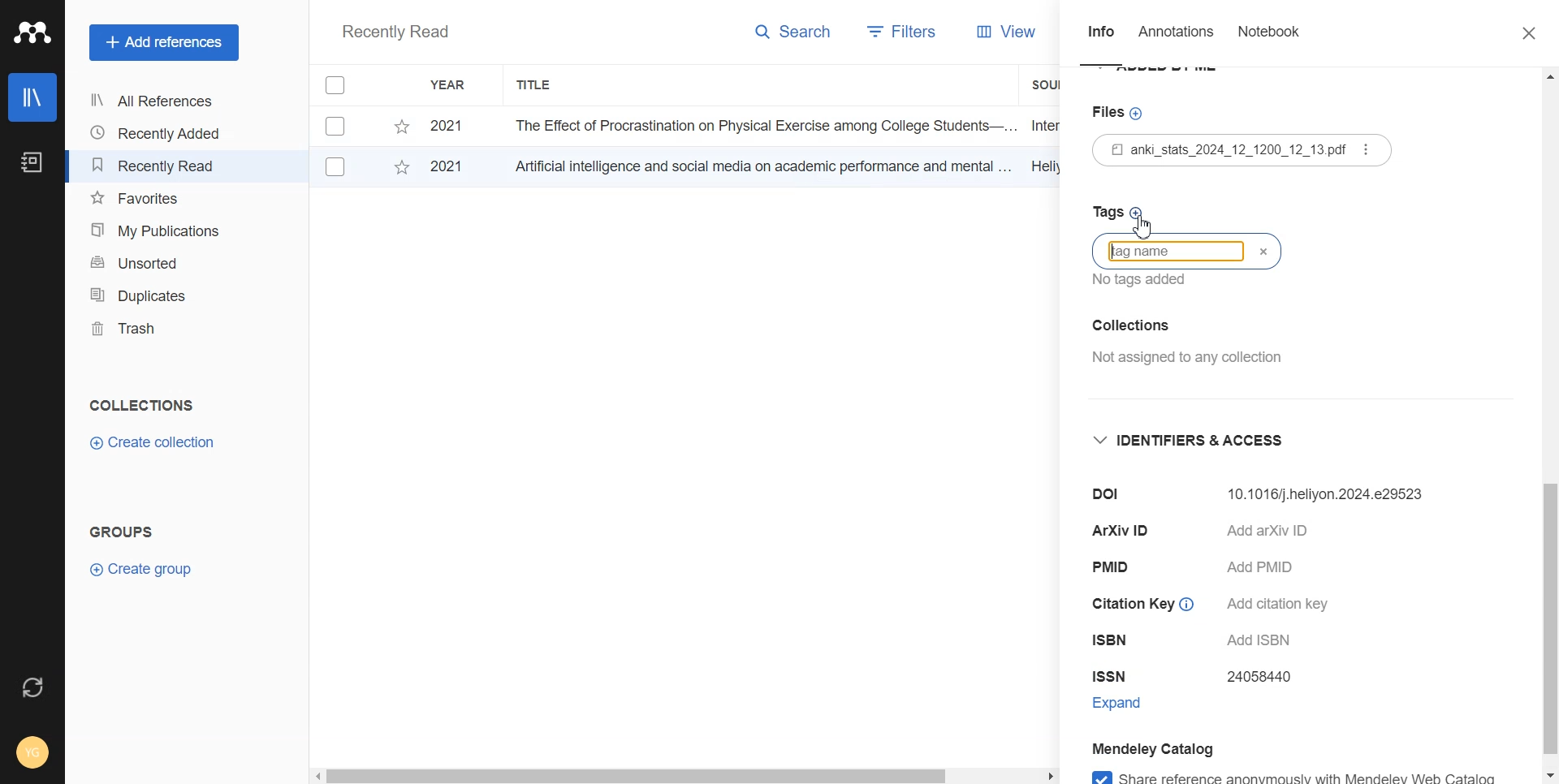 This screenshot has width=1559, height=784. I want to click on Title, so click(535, 85).